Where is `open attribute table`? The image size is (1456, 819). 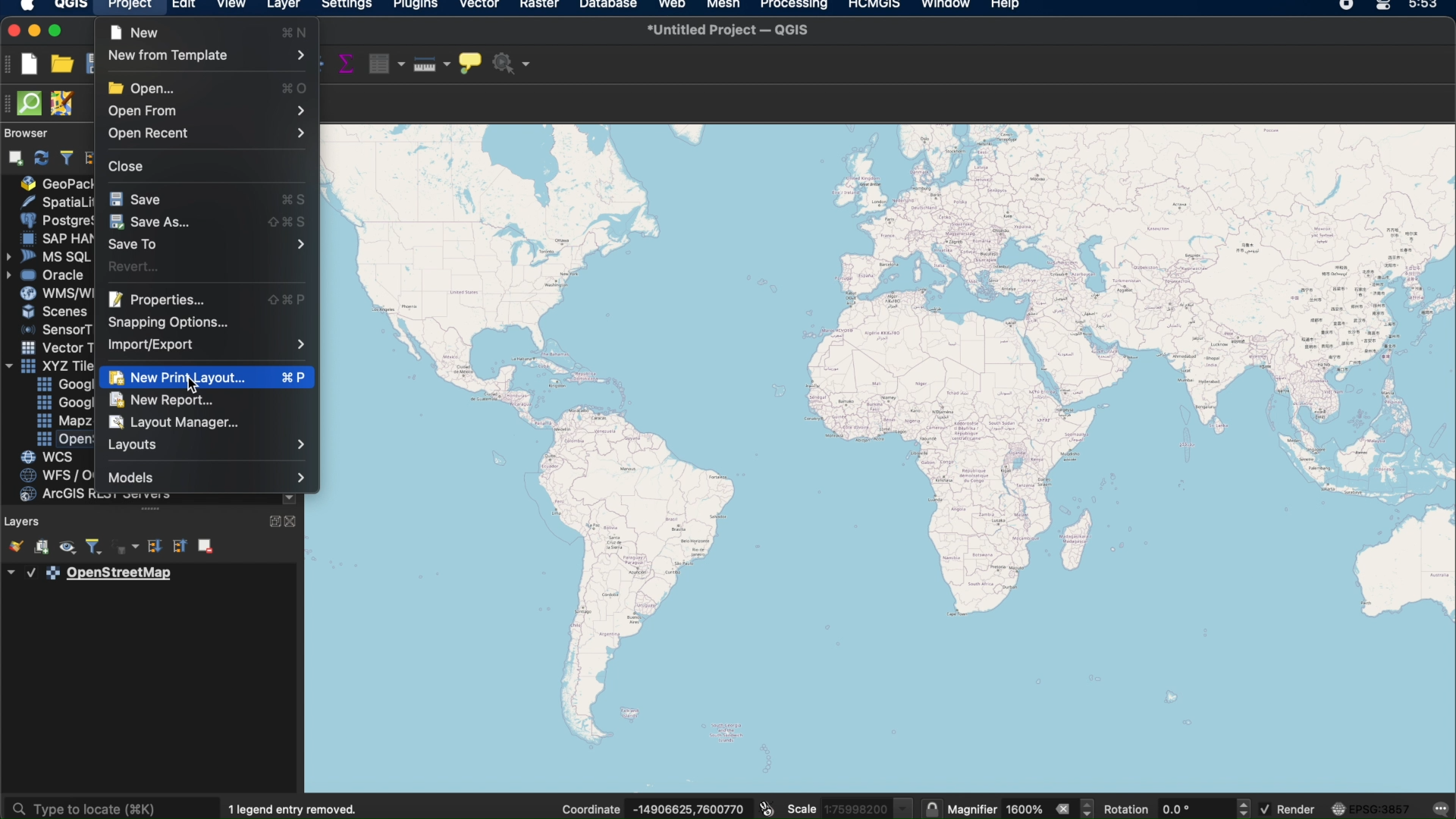 open attribute table is located at coordinates (386, 64).